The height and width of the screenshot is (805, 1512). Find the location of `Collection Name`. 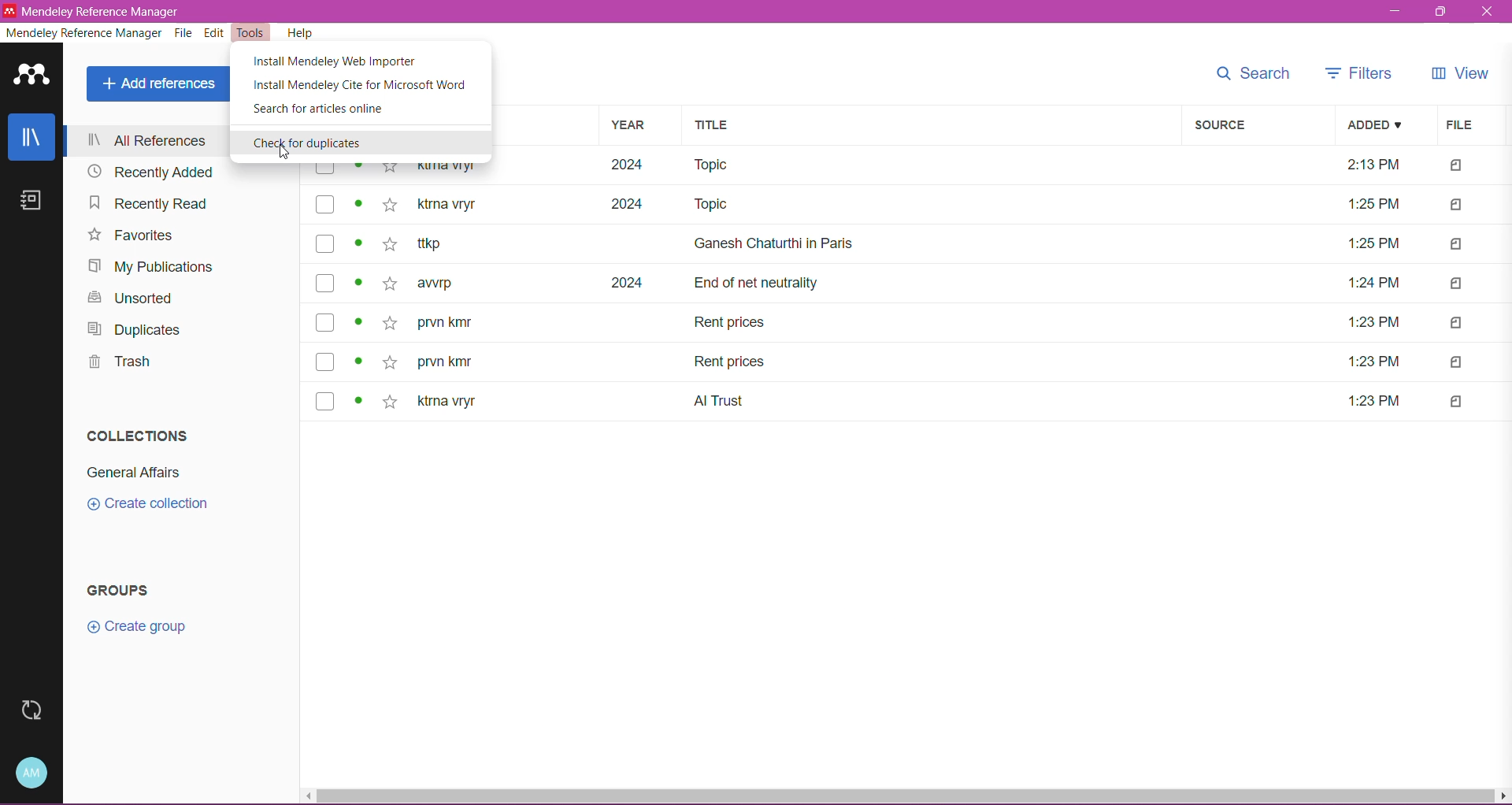

Collection Name is located at coordinates (132, 474).